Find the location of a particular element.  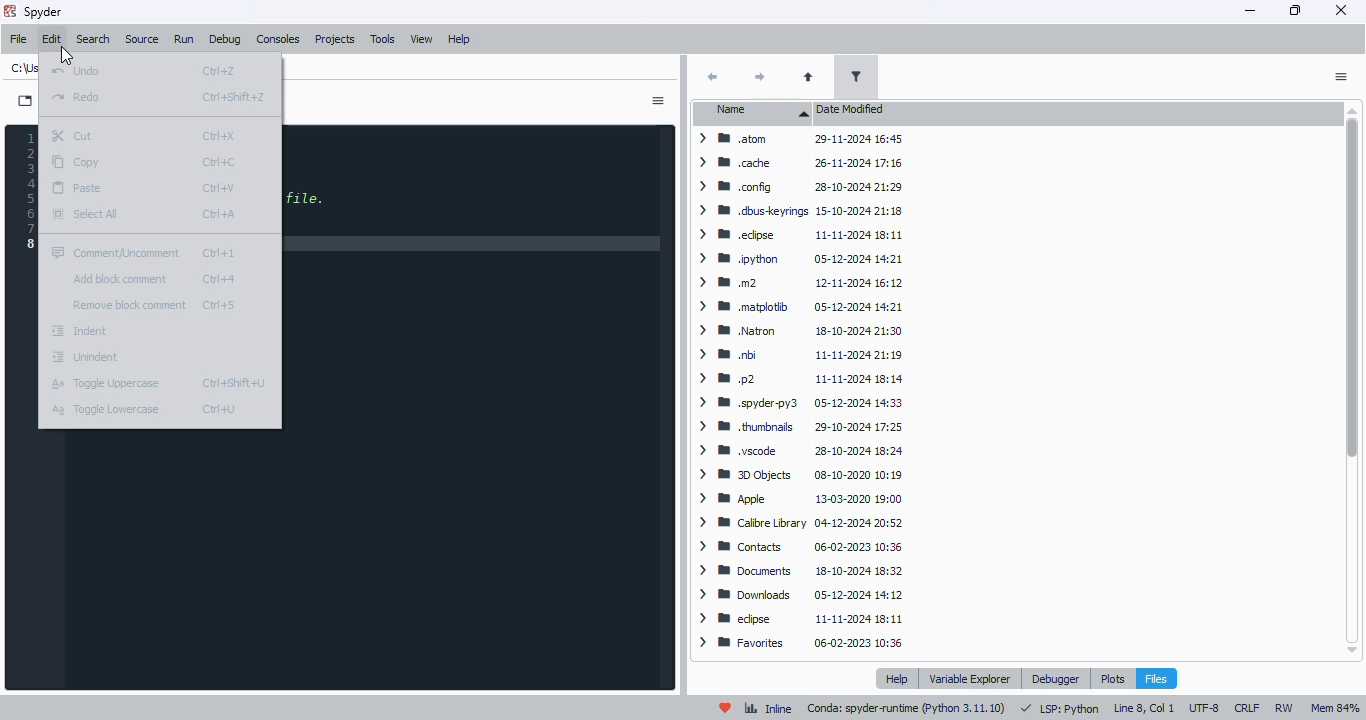

shortcut for select all is located at coordinates (219, 214).